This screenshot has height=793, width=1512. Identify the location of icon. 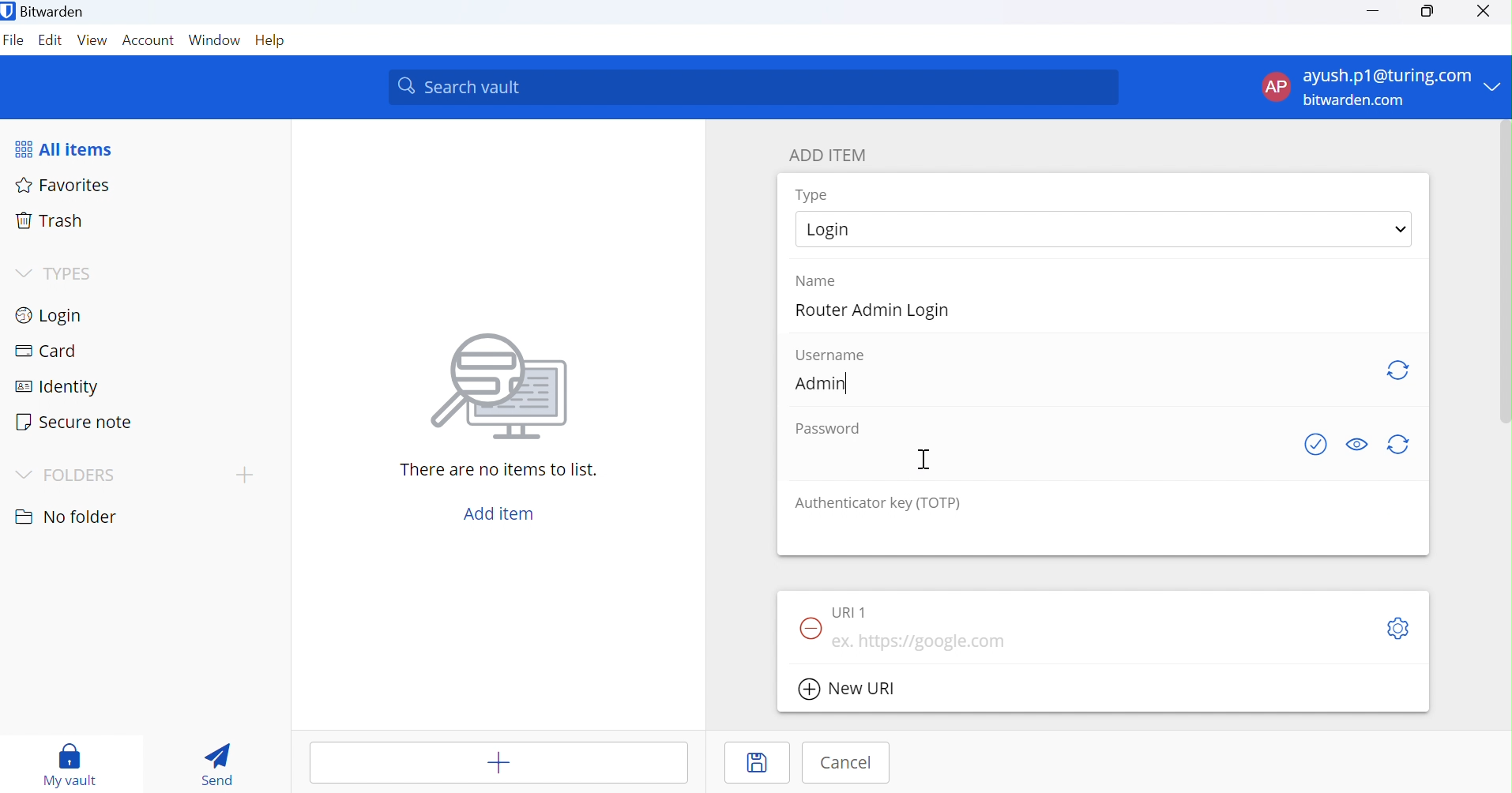
(499, 384).